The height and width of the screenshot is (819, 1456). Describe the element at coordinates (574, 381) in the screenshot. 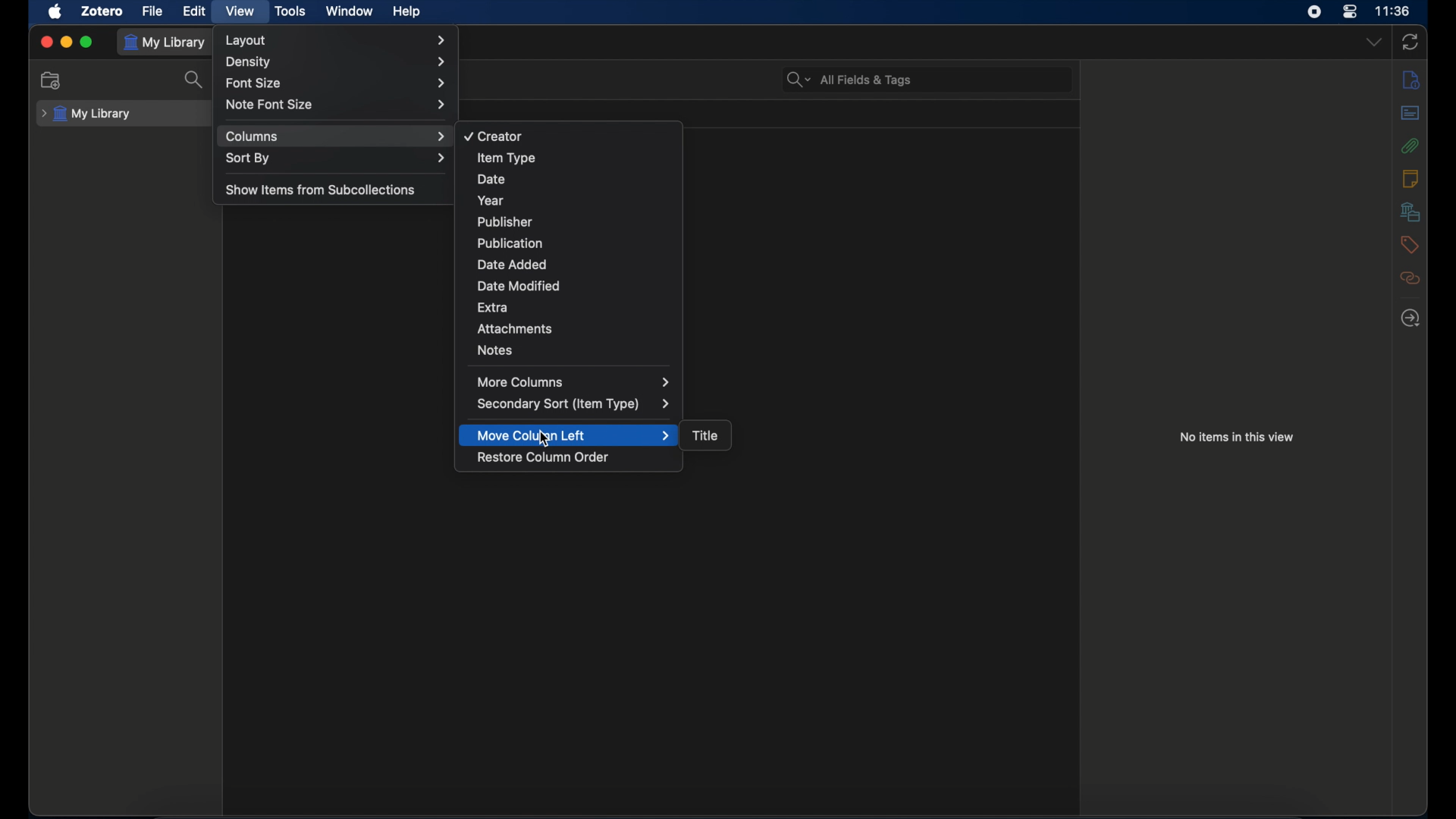

I see `more columns` at that location.